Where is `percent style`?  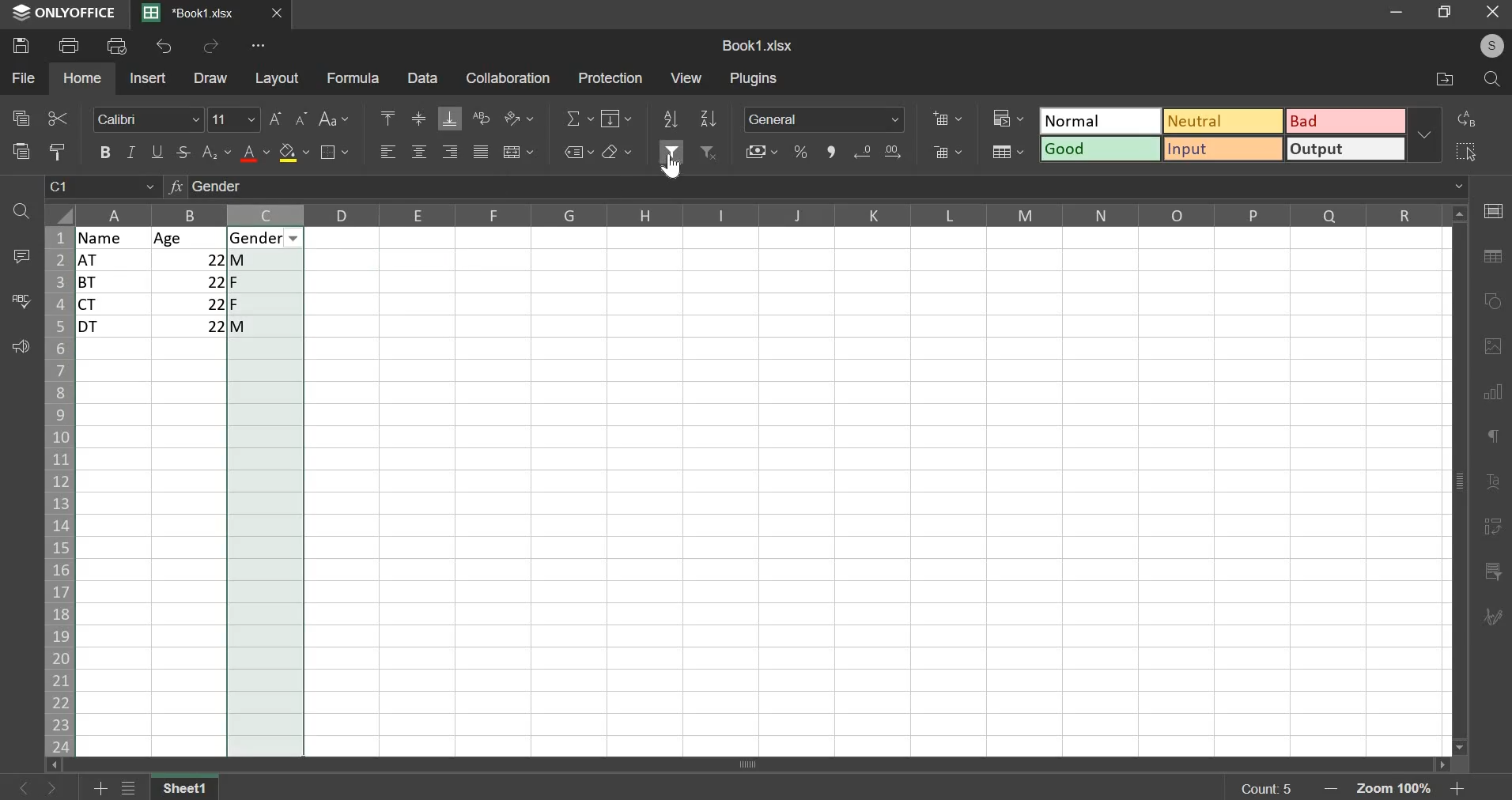 percent style is located at coordinates (800, 153).